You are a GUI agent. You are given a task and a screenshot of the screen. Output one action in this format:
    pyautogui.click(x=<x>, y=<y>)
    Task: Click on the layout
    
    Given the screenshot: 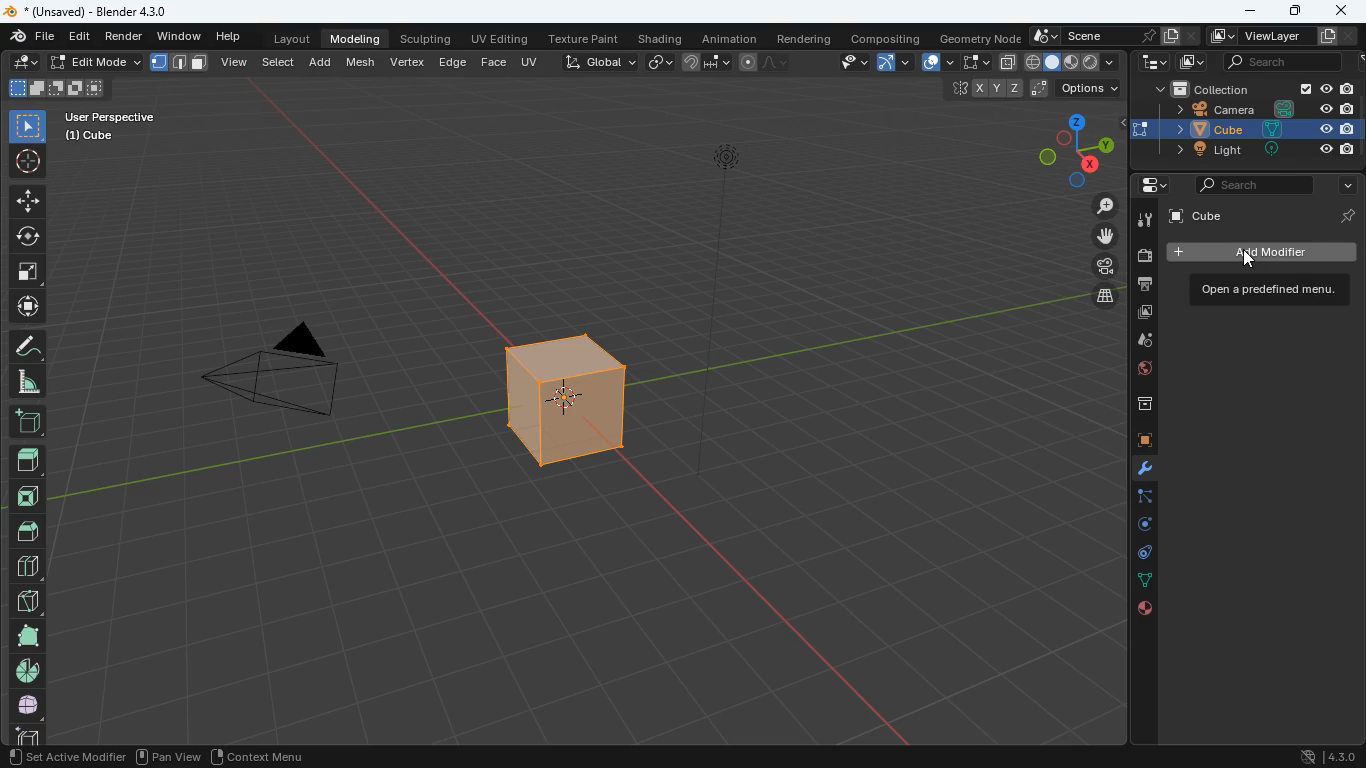 What is the action you would take?
    pyautogui.click(x=287, y=39)
    